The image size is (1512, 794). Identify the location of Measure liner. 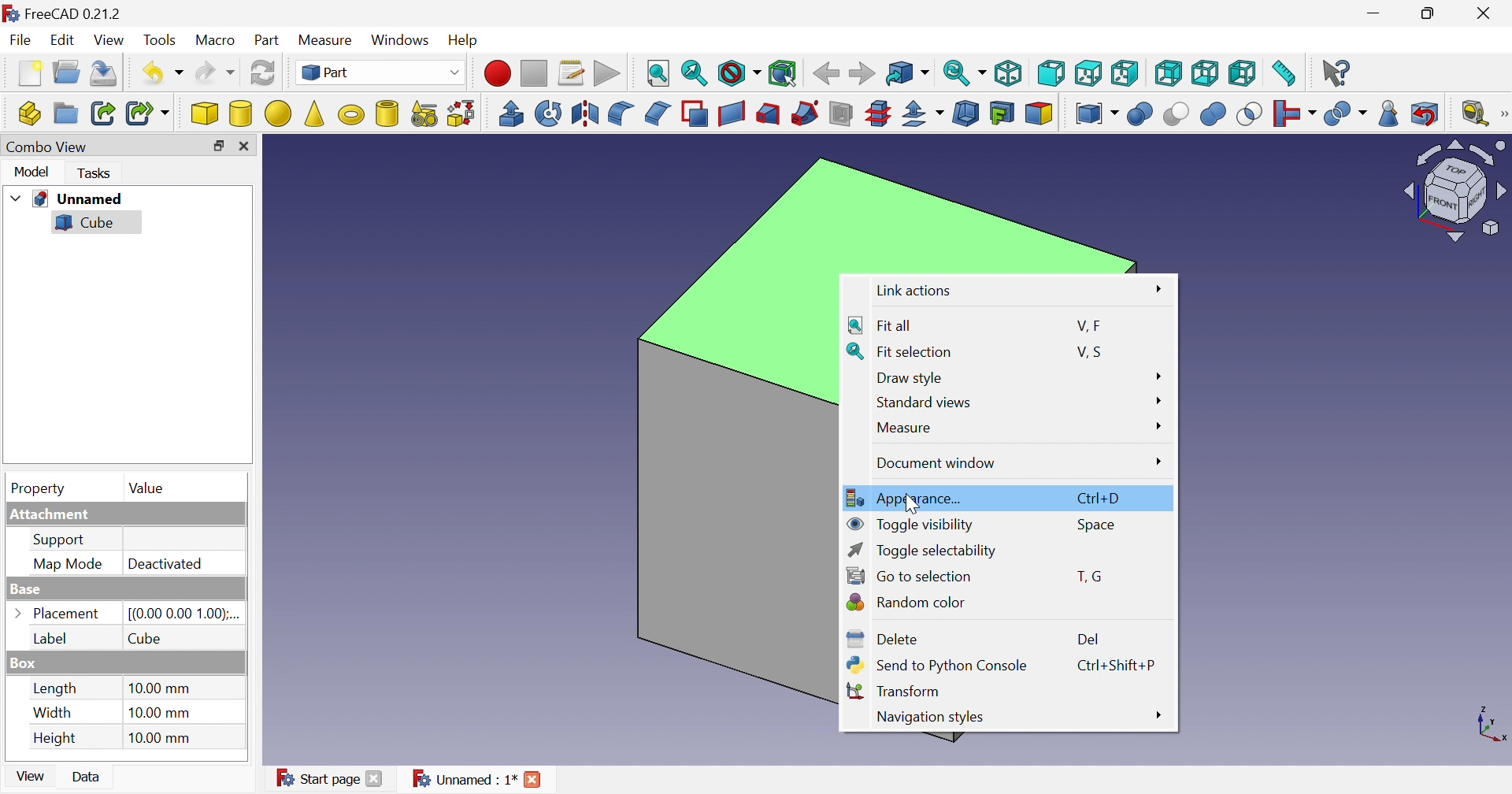
(1475, 114).